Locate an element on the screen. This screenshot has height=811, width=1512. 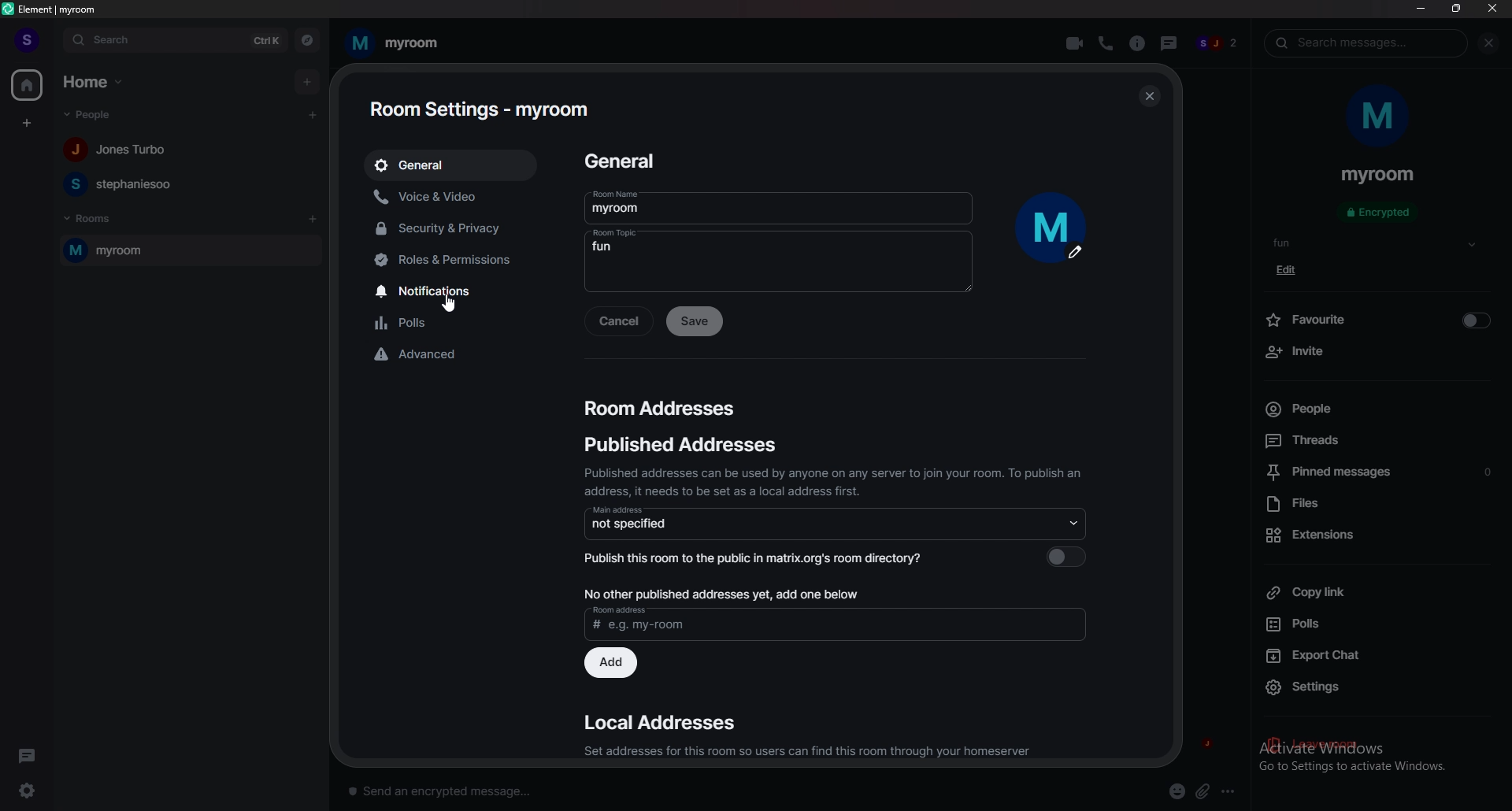
resize is located at coordinates (1456, 8).